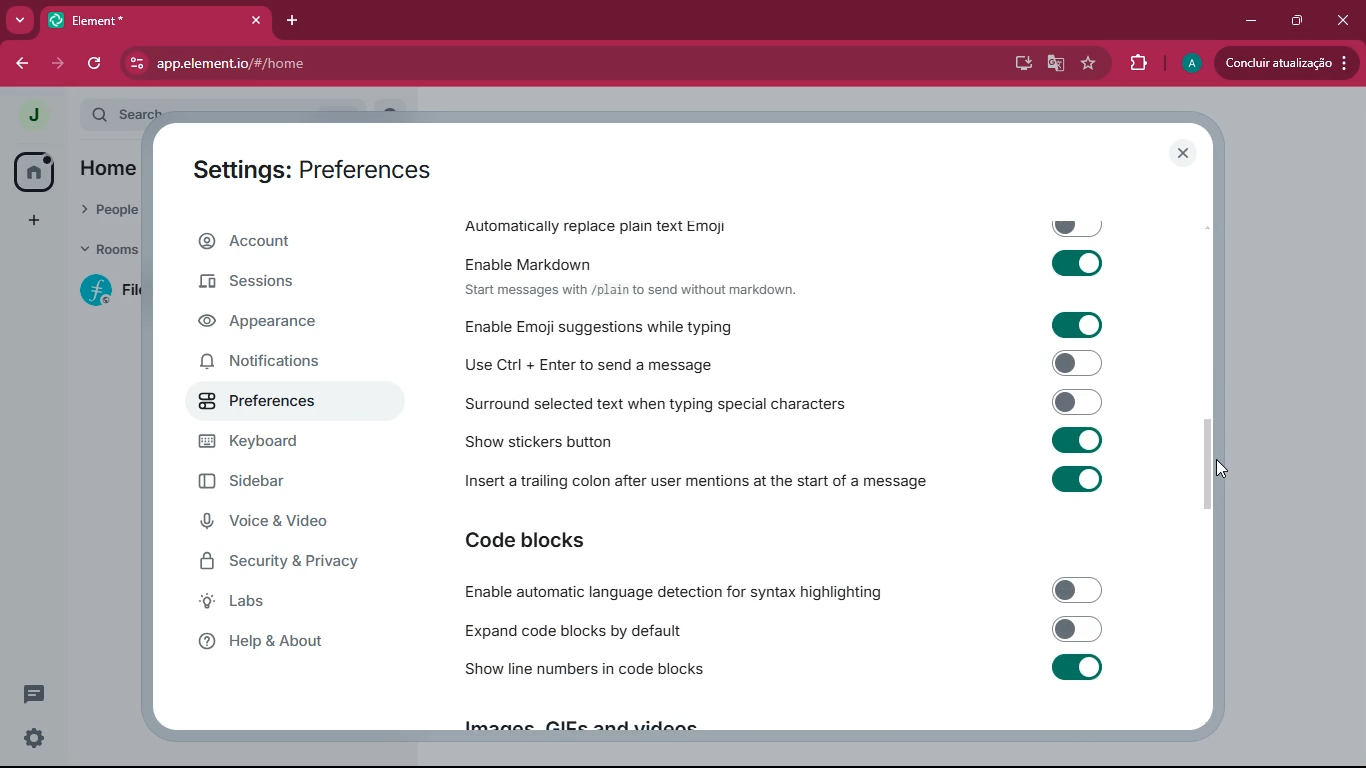  Describe the element at coordinates (299, 442) in the screenshot. I see `keyboard` at that location.